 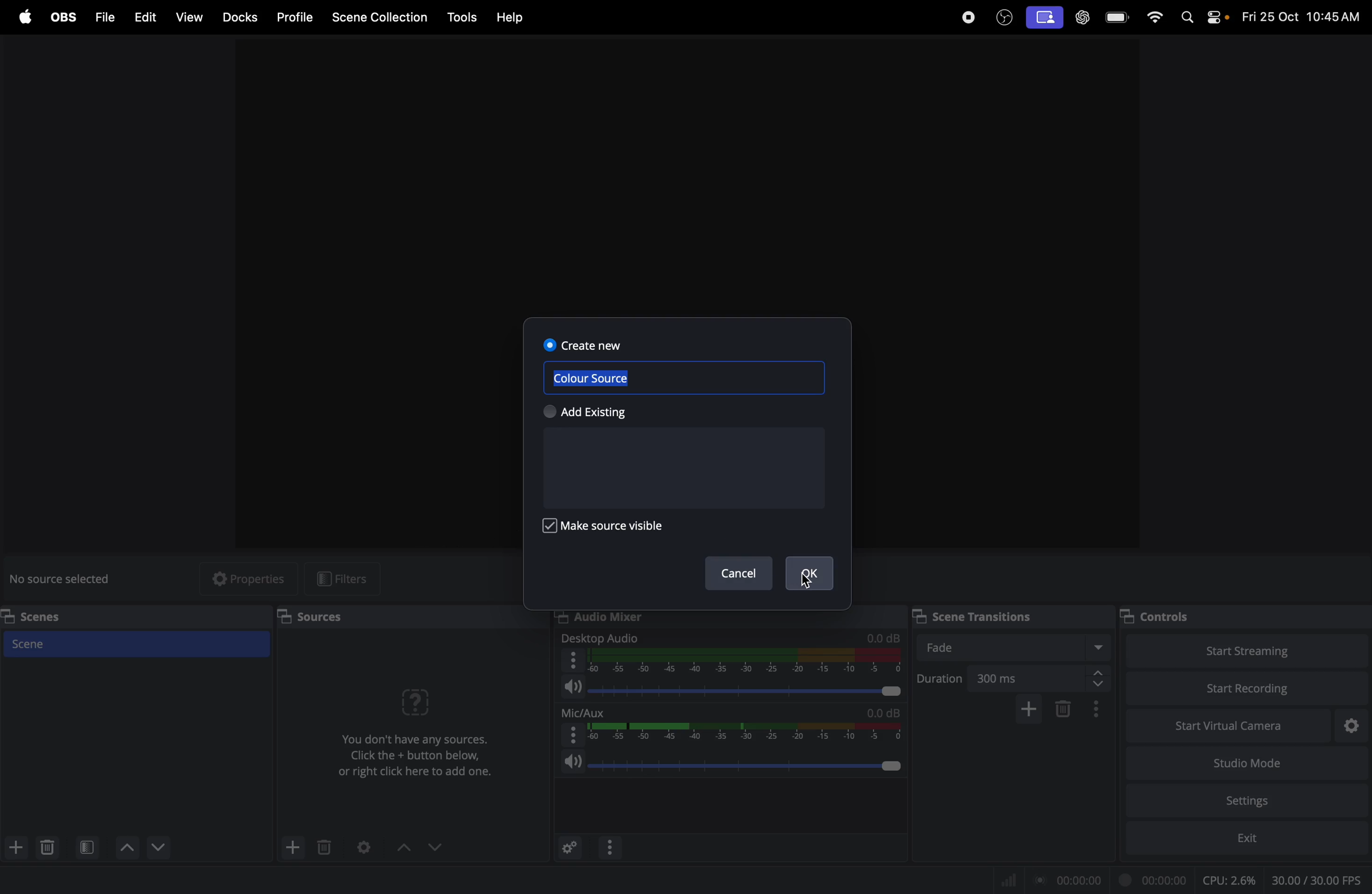 I want to click on speaker level, so click(x=734, y=756).